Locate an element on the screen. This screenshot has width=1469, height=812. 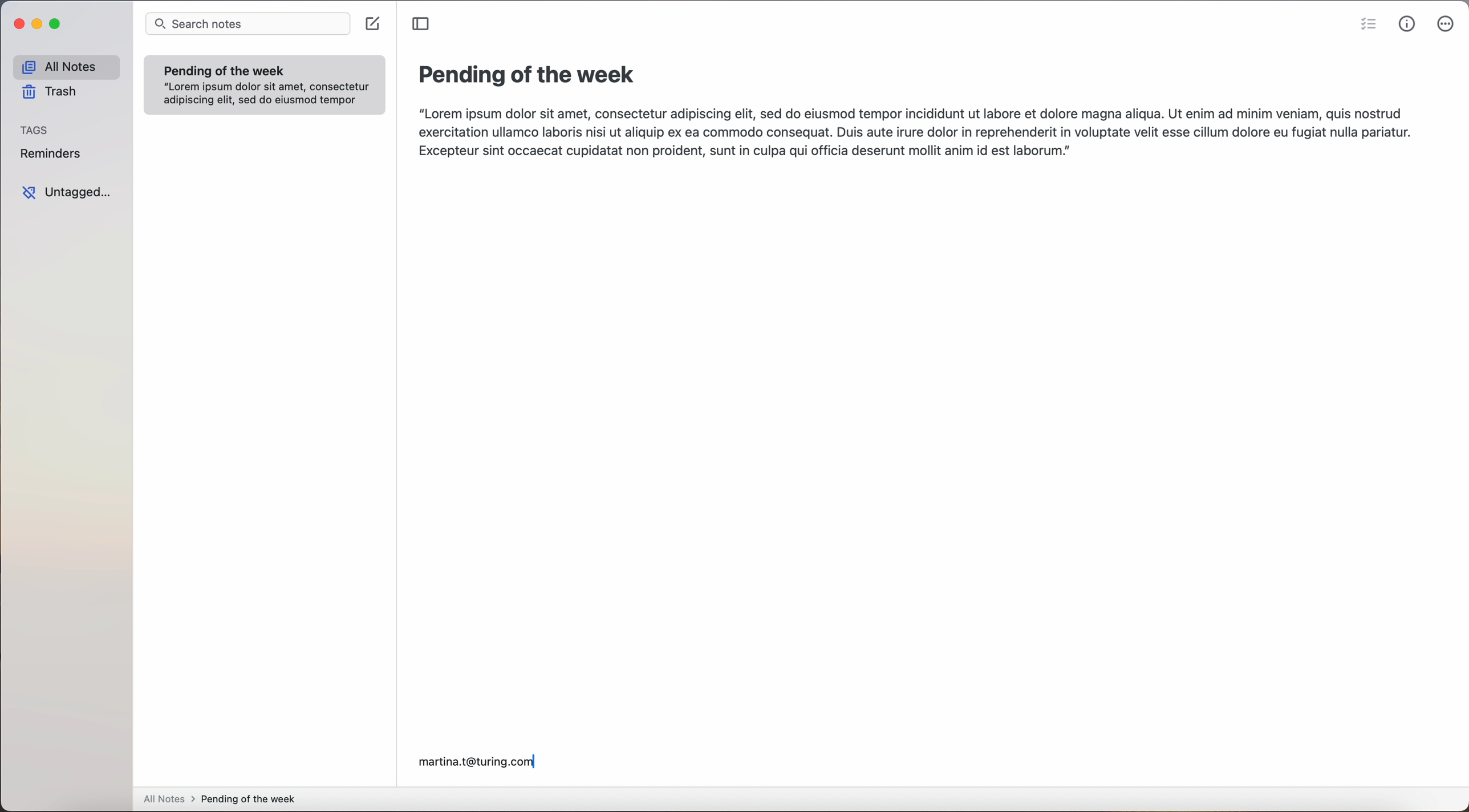
title: pending of the week is located at coordinates (530, 76).